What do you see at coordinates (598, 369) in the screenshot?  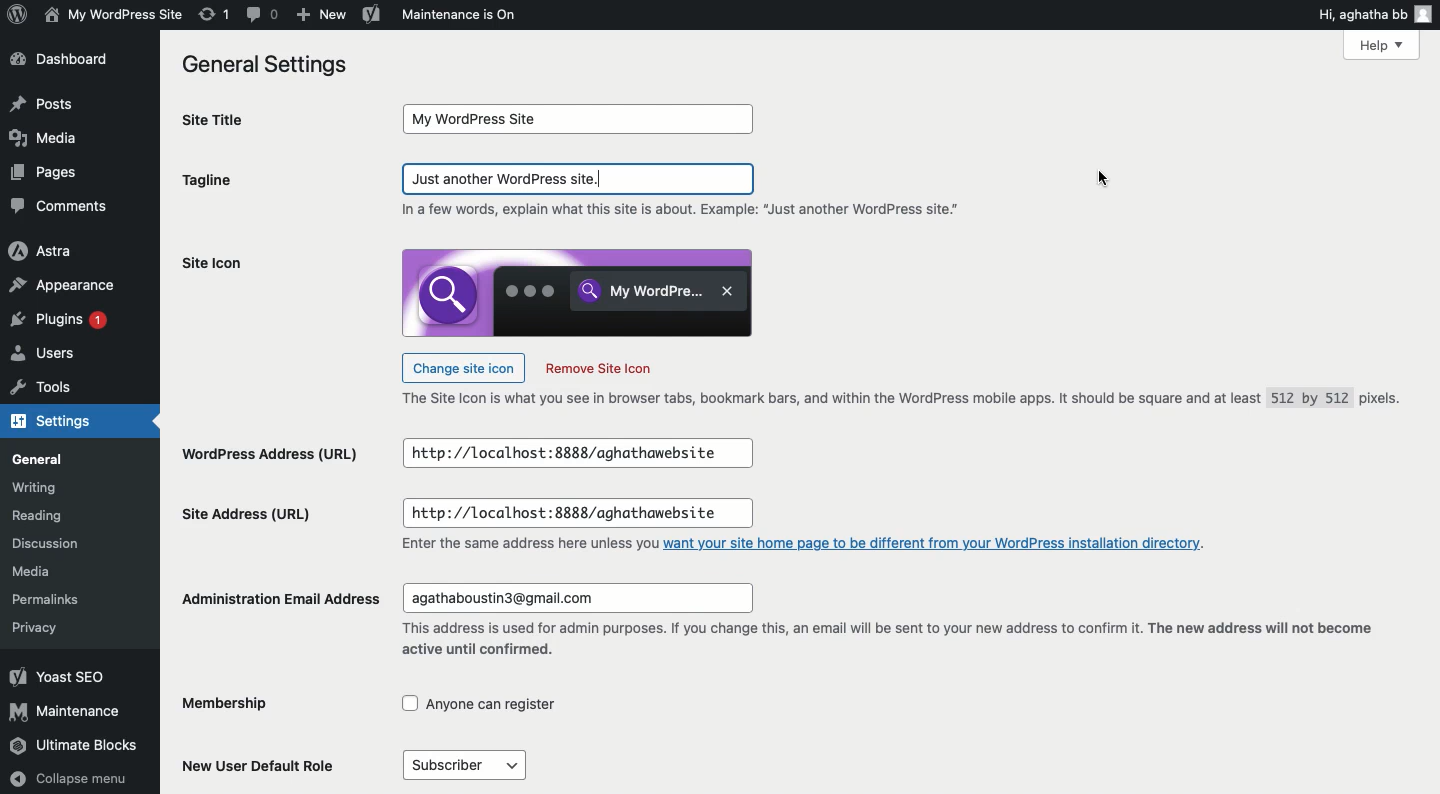 I see `Remove` at bounding box center [598, 369].